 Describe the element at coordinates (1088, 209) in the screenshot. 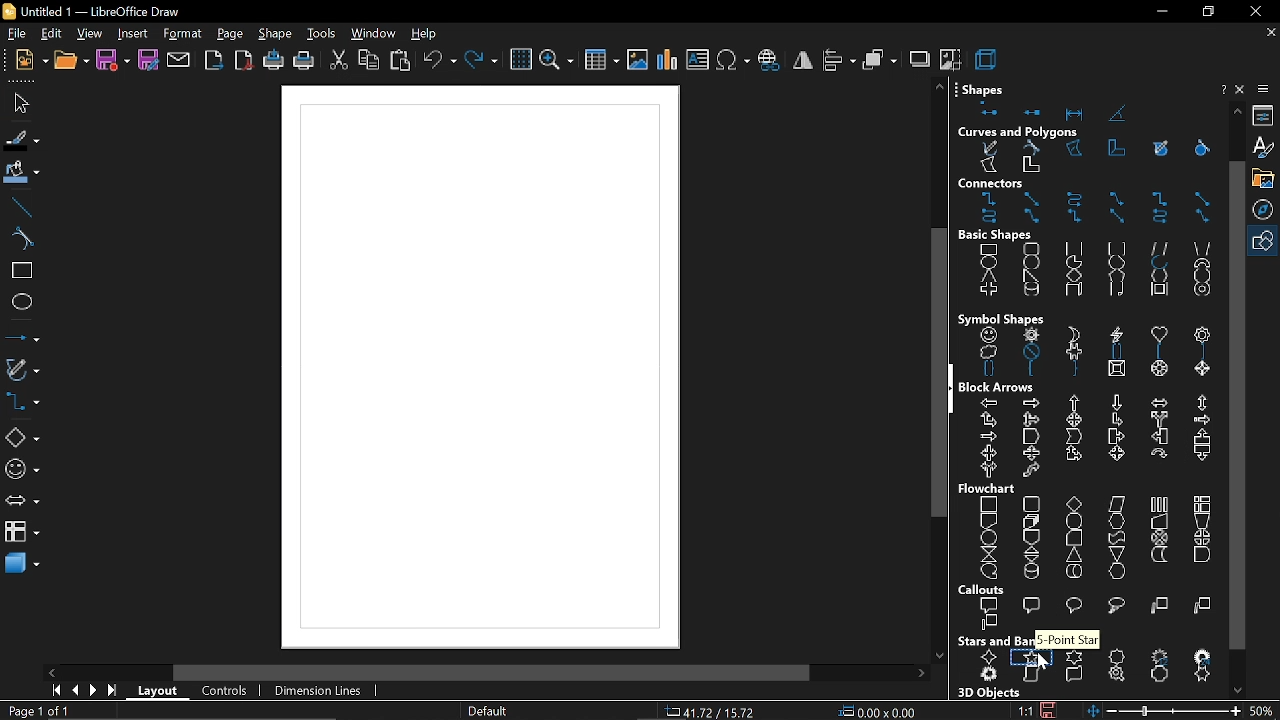

I see `connectors` at that location.